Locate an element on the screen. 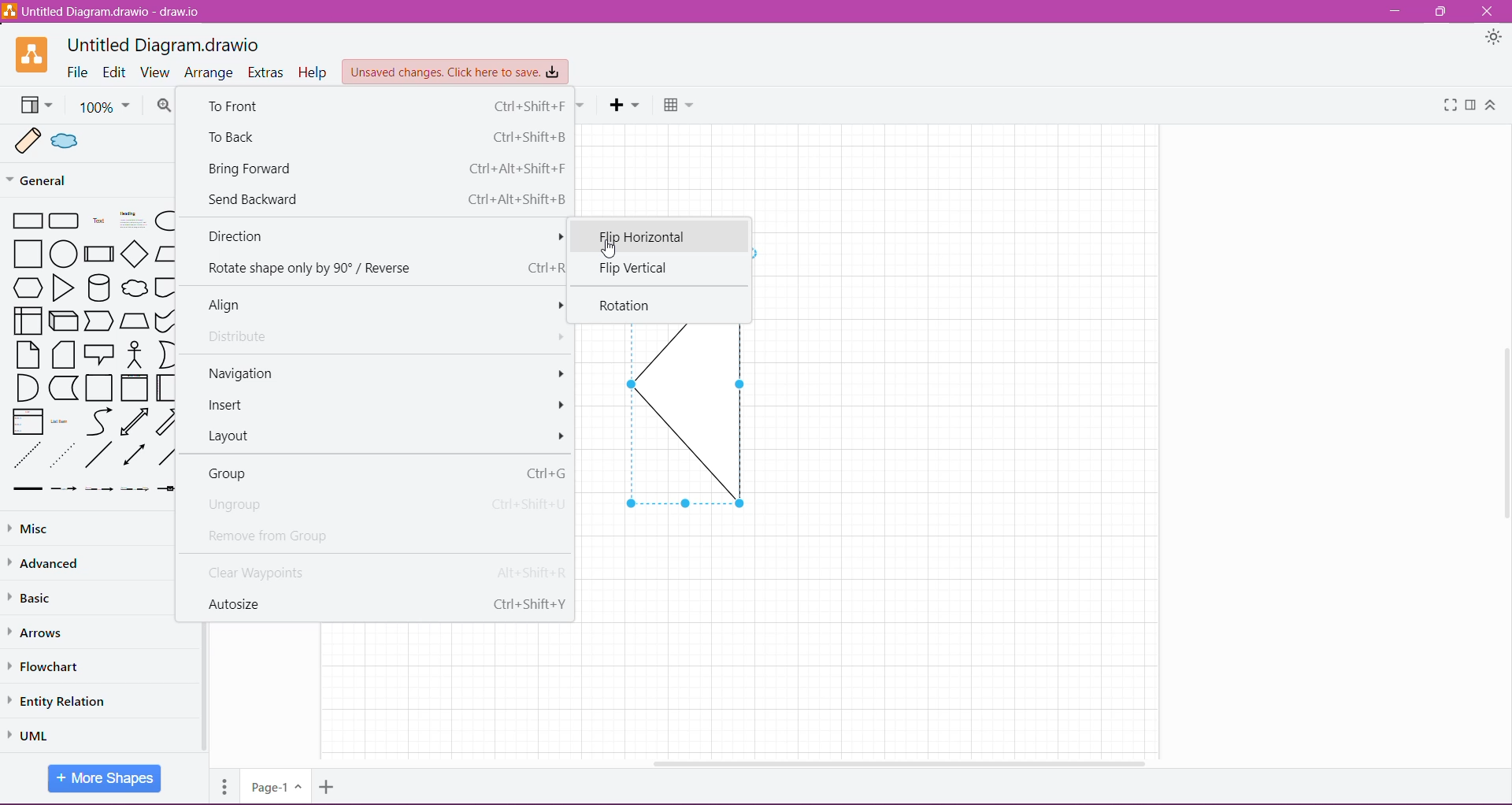  Layout is located at coordinates (384, 436).